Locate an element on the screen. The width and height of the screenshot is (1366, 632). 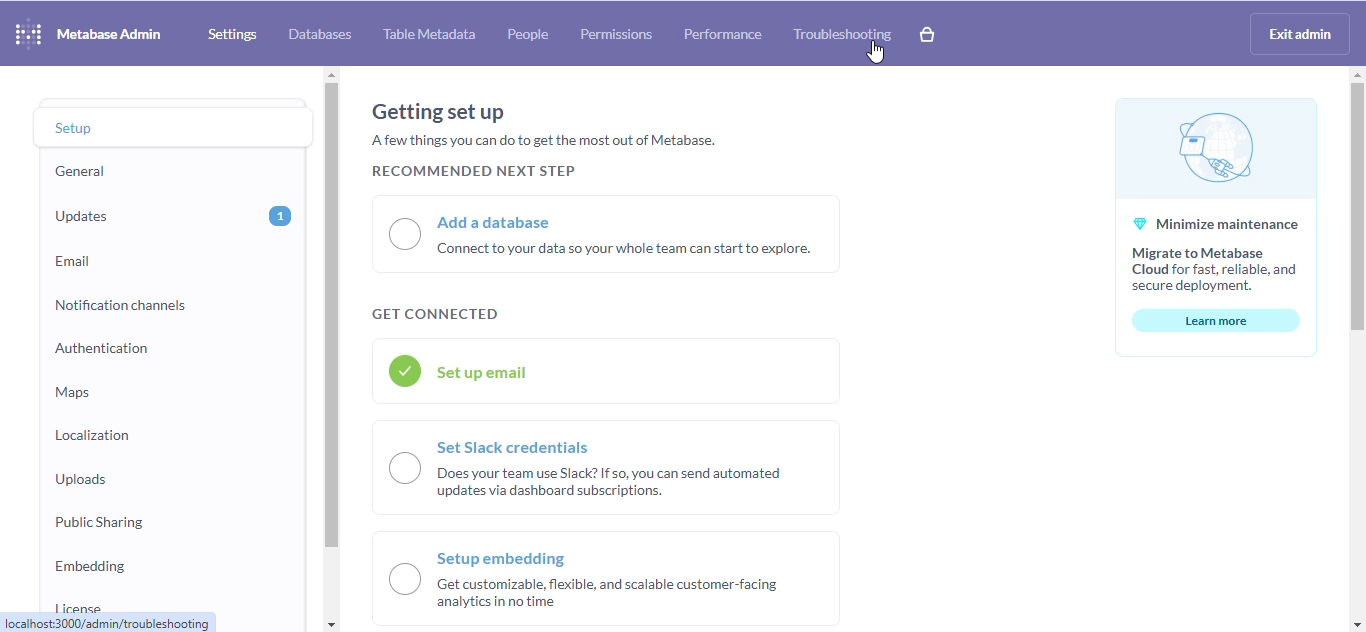
updates is located at coordinates (83, 217).